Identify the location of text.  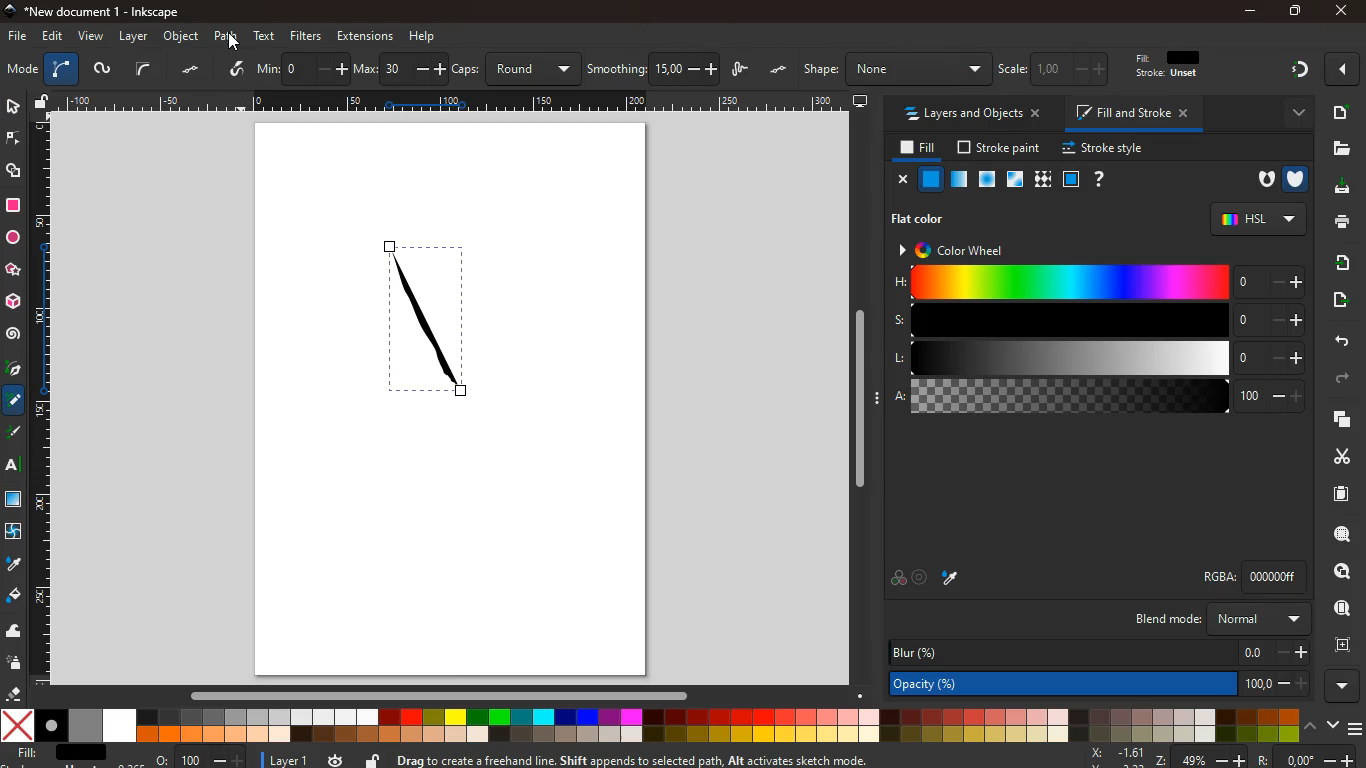
(14, 468).